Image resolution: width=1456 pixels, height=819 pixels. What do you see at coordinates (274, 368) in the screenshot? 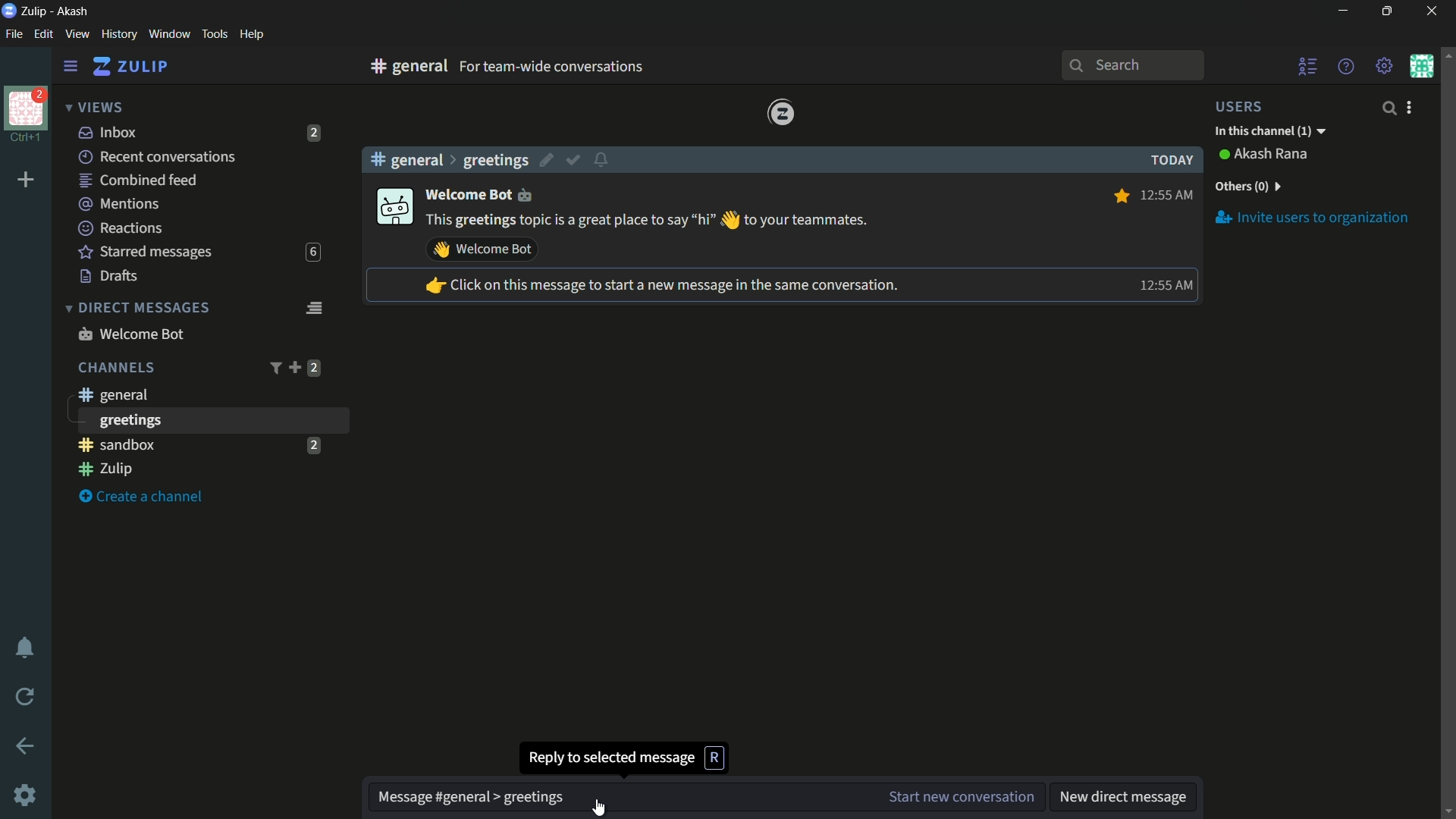
I see `filter channels` at bounding box center [274, 368].